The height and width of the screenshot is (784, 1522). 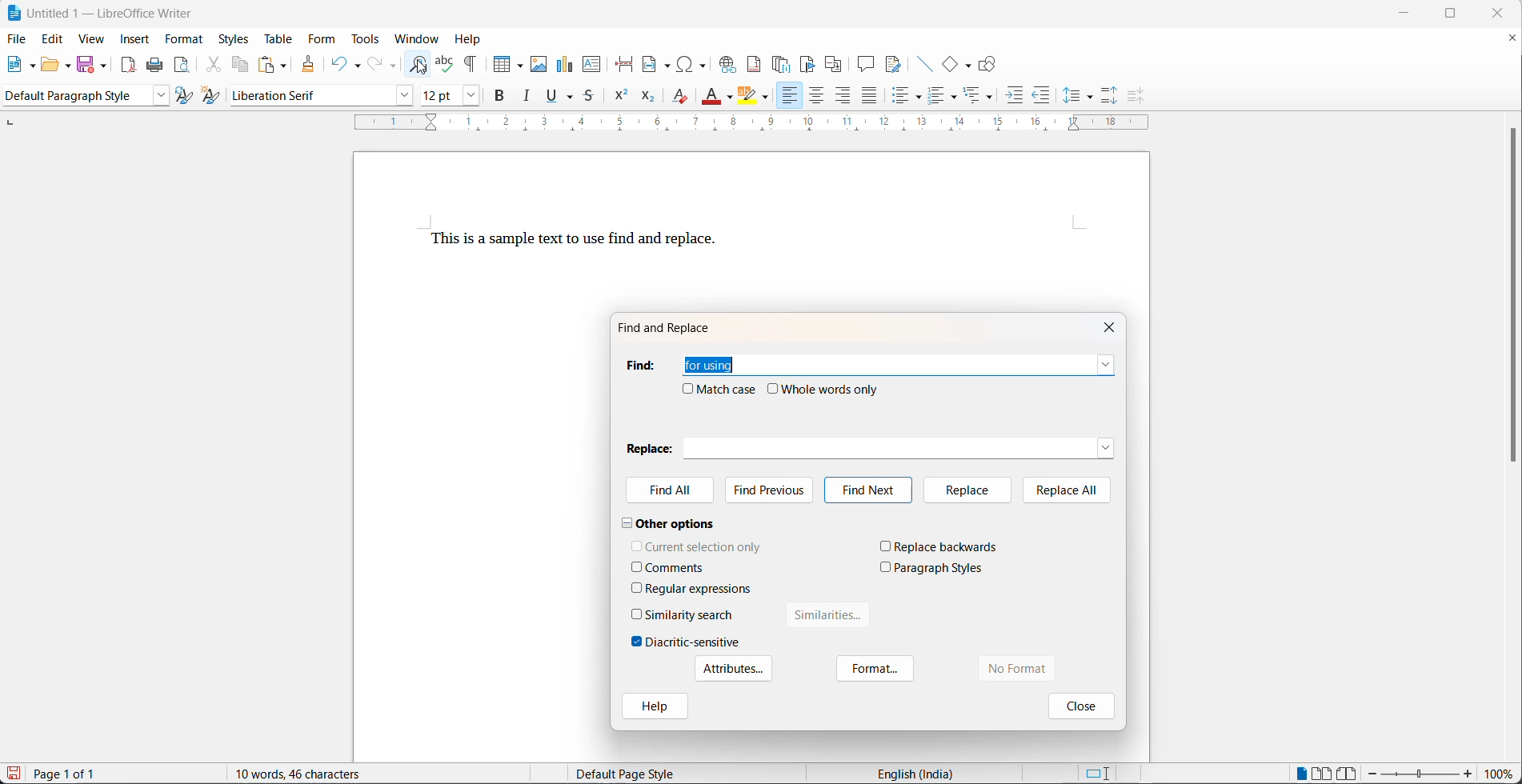 I want to click on increase indent, so click(x=1015, y=98).